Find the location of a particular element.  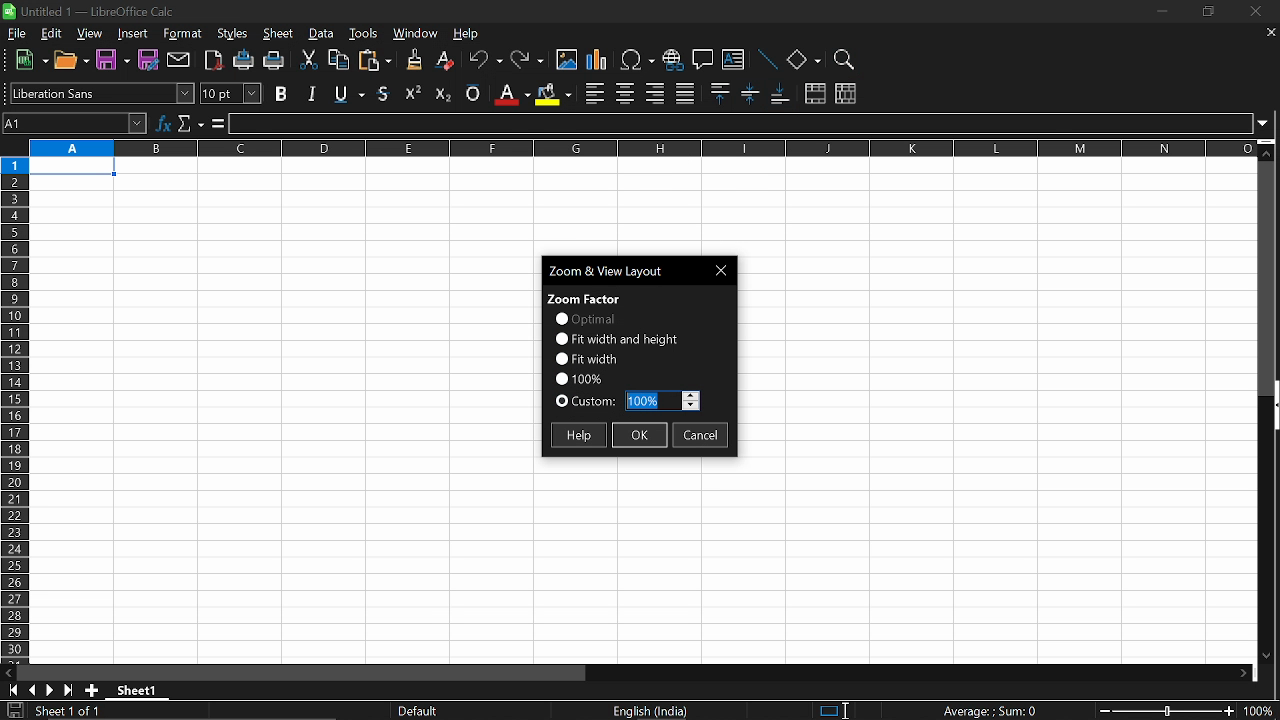

align left is located at coordinates (595, 94).